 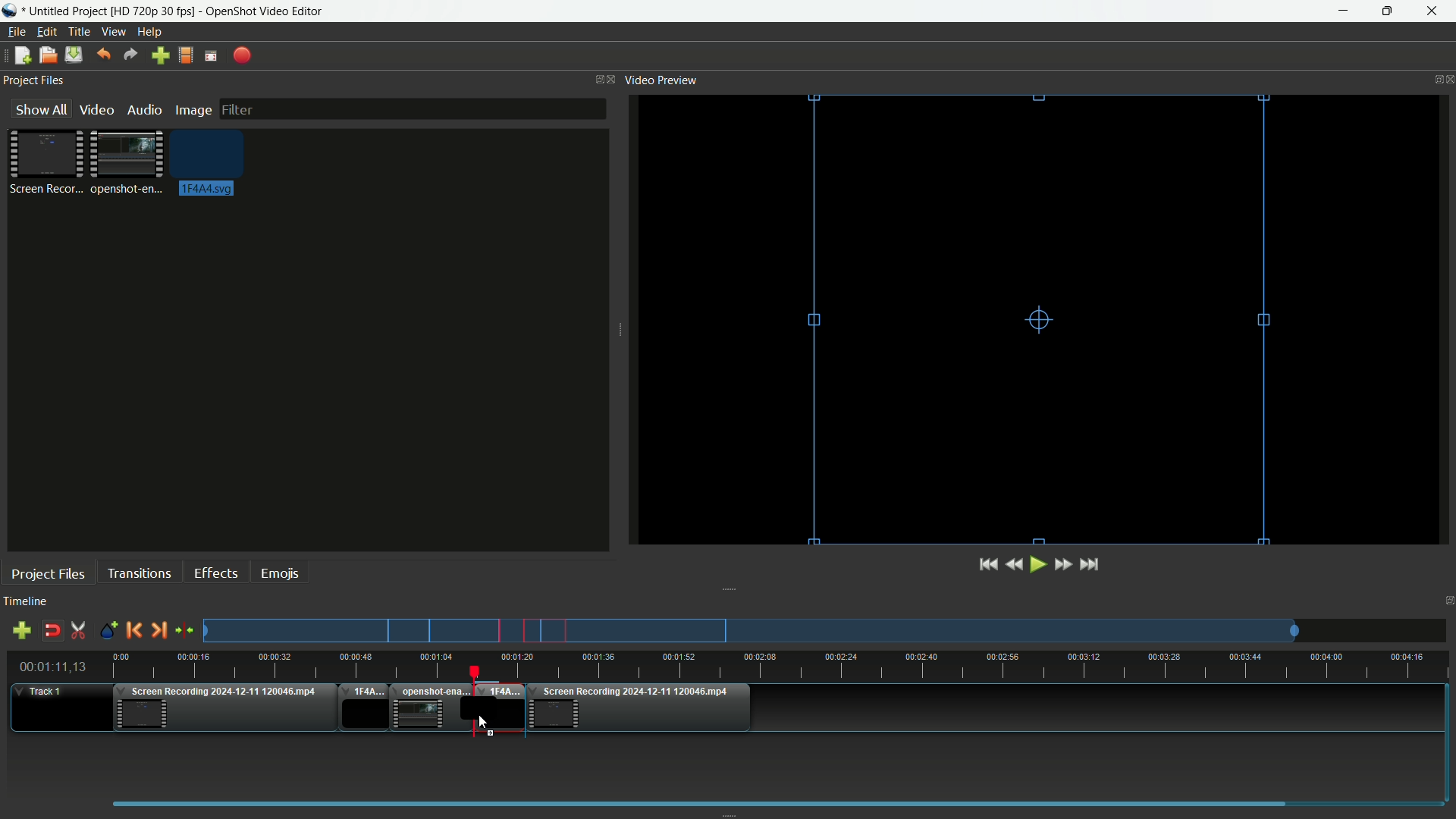 What do you see at coordinates (184, 57) in the screenshot?
I see `Profile` at bounding box center [184, 57].